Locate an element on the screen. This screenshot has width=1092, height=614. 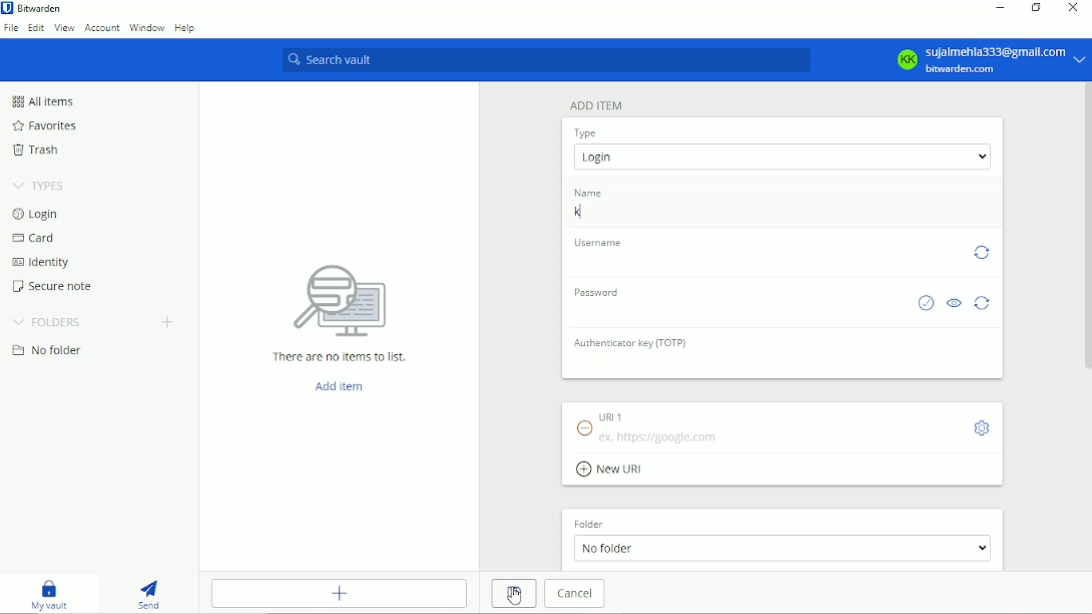
Create folder is located at coordinates (171, 323).